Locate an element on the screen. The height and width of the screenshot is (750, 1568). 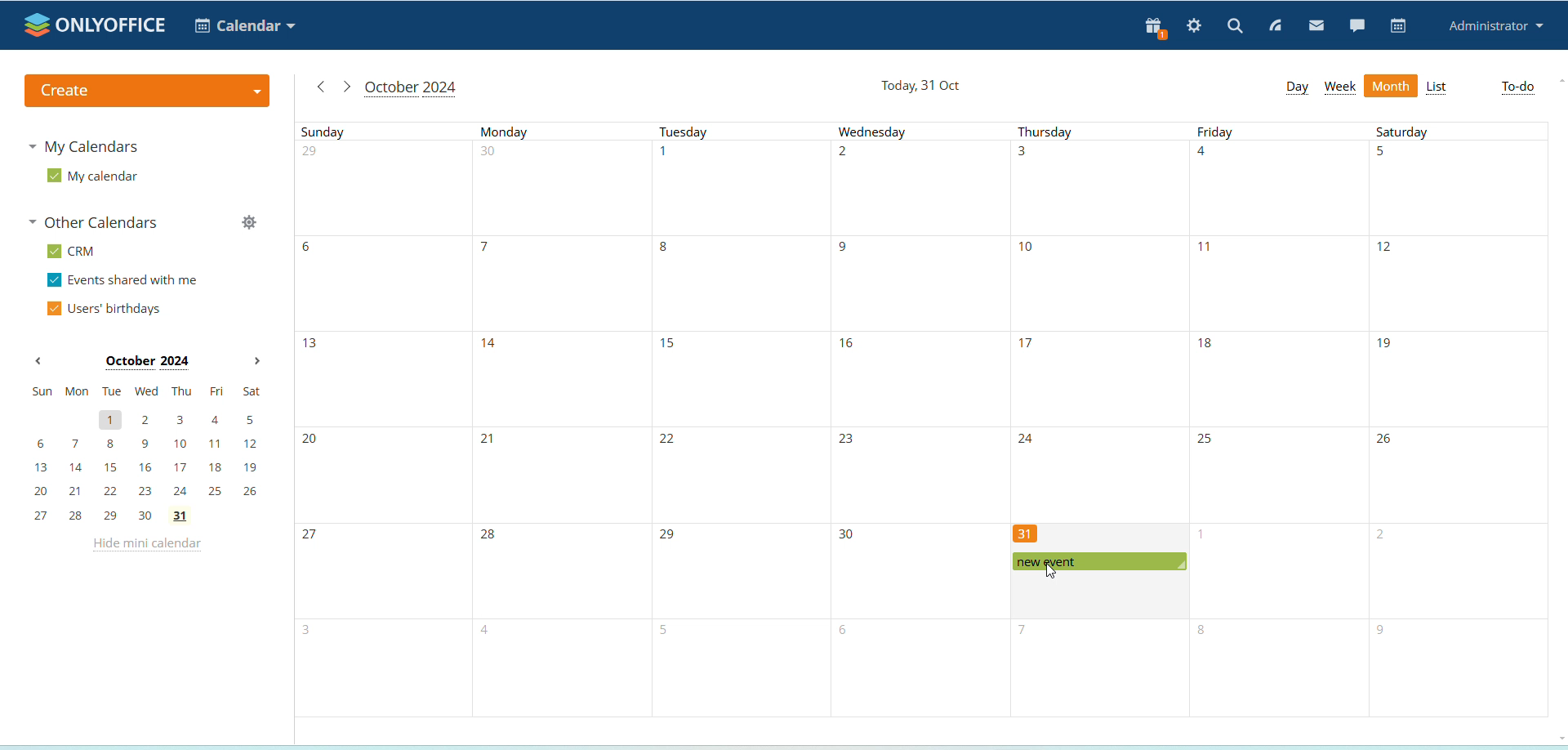
scroll down is located at coordinates (1558, 736).